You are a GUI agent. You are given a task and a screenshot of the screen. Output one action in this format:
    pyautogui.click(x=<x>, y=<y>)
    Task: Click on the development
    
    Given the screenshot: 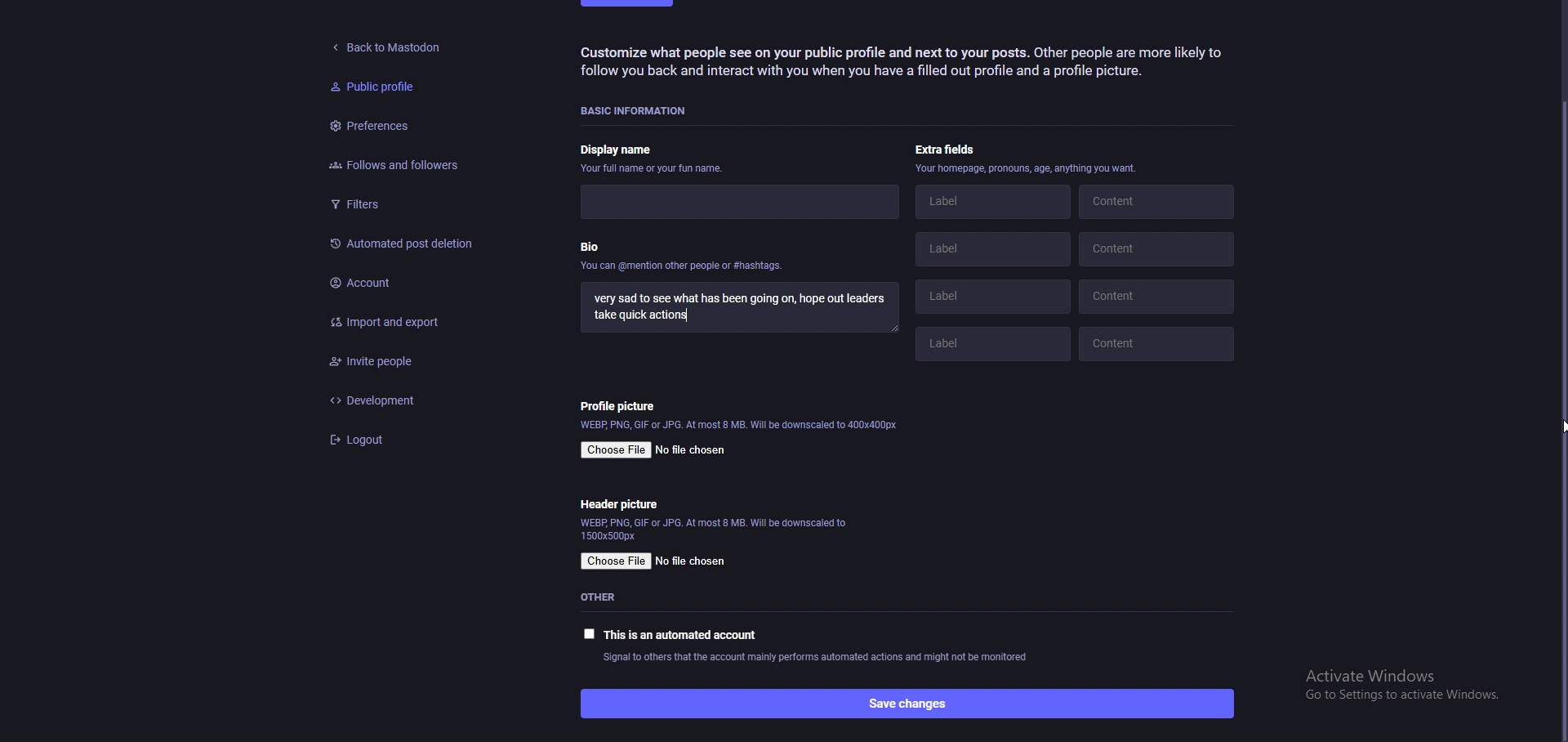 What is the action you would take?
    pyautogui.click(x=412, y=400)
    